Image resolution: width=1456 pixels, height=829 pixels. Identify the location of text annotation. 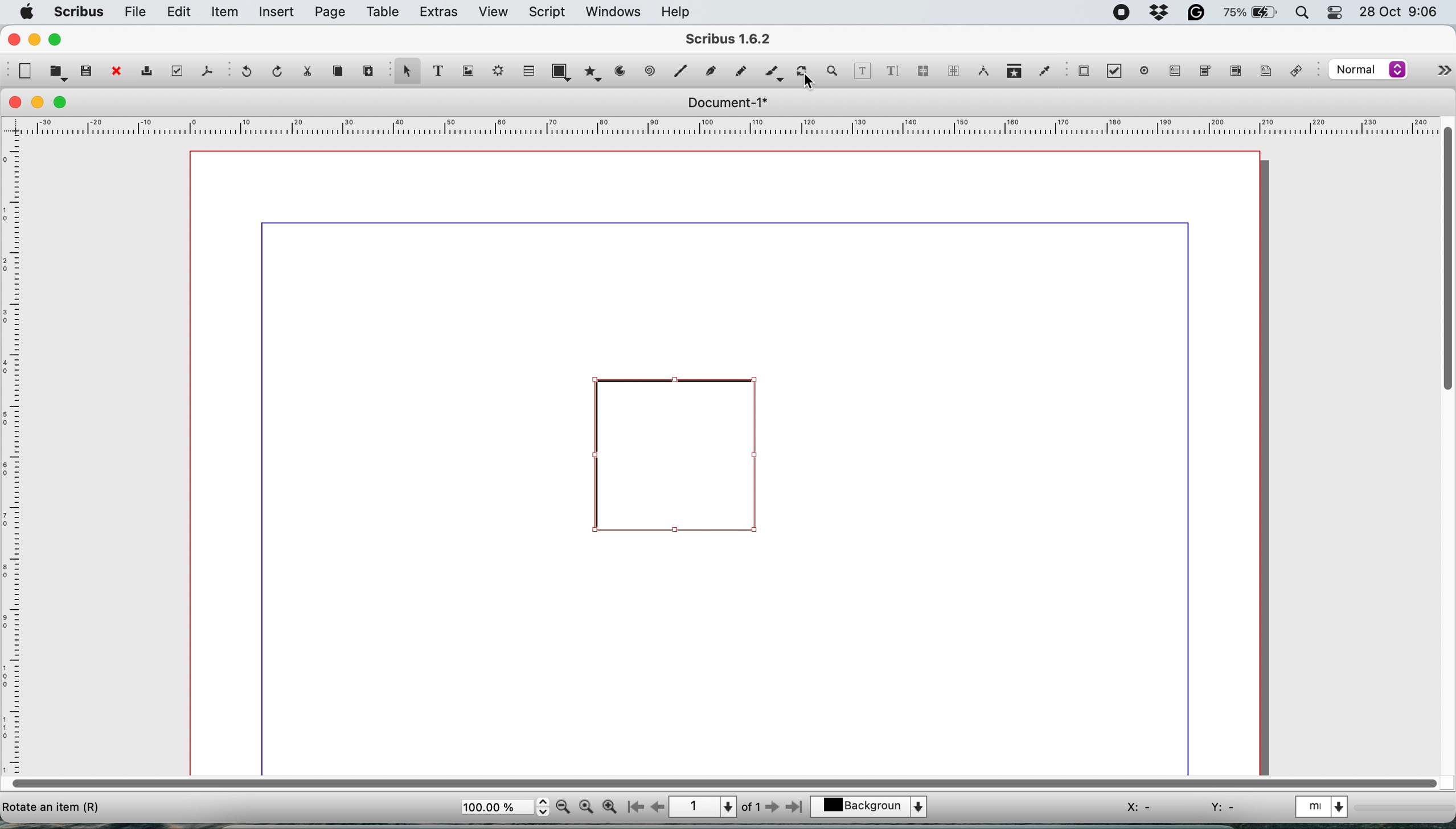
(1265, 72).